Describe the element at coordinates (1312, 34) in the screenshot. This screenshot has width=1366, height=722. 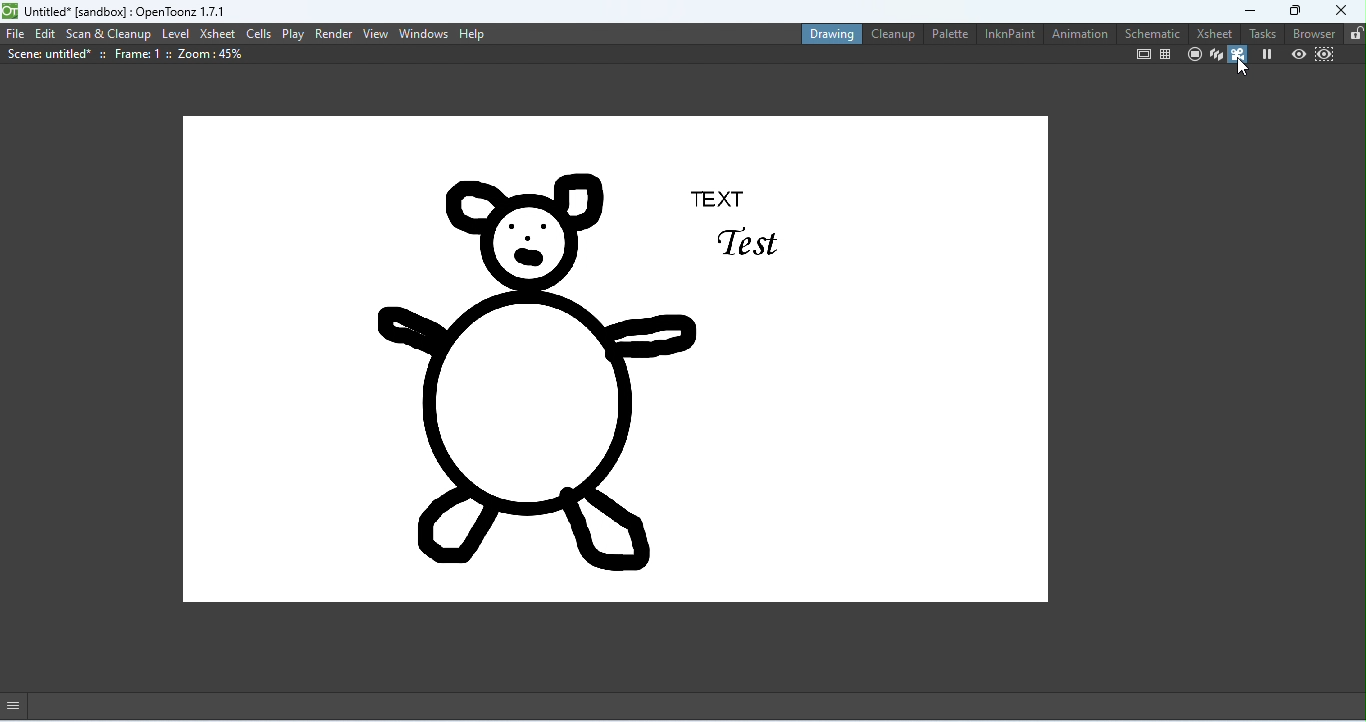
I see `browser` at that location.